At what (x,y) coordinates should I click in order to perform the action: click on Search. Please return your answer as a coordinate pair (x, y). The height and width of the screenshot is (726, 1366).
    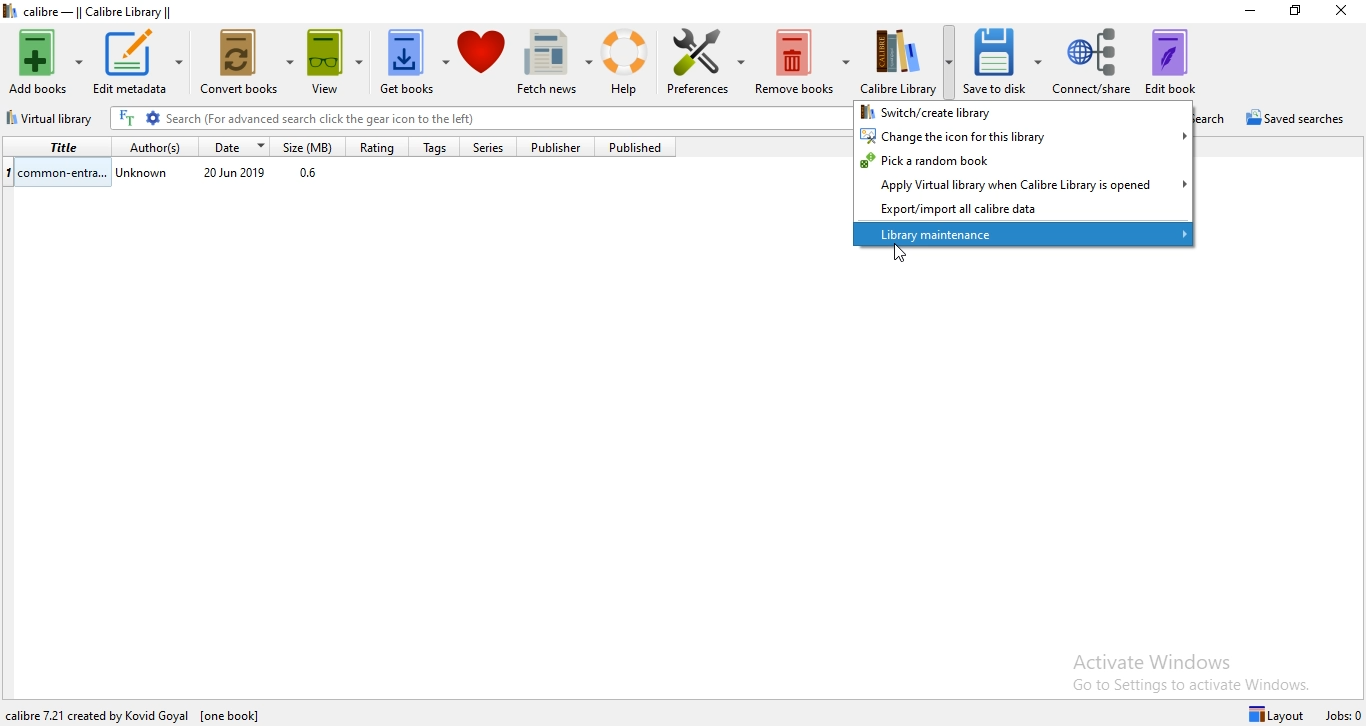
    Looking at the image, I should click on (1218, 118).